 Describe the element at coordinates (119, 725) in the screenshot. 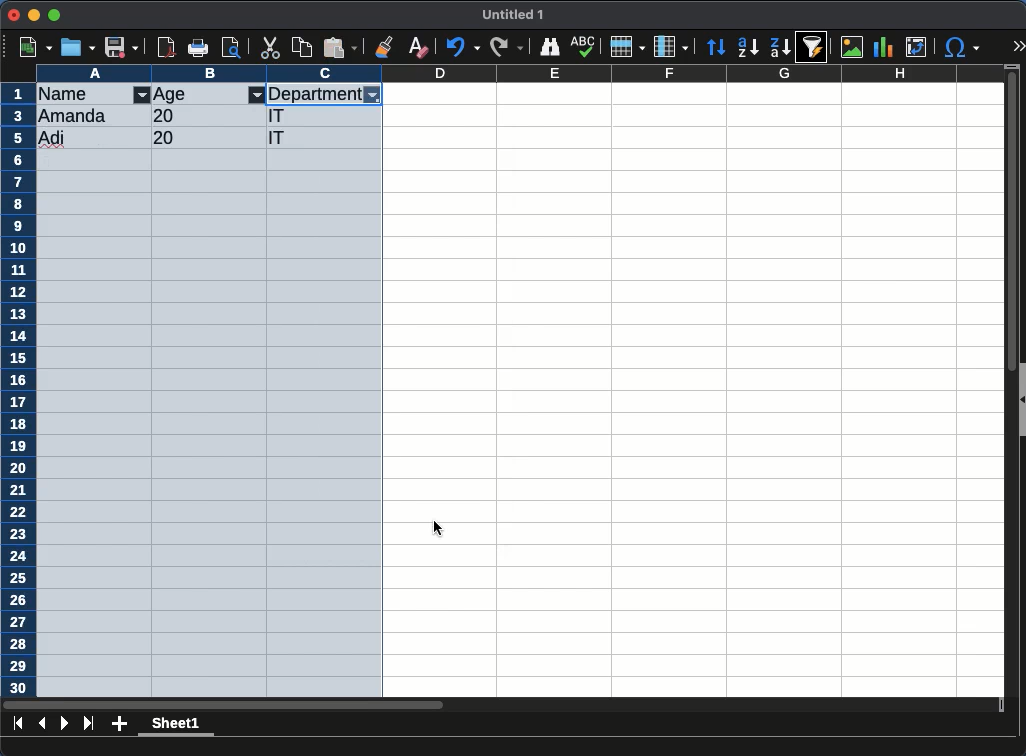

I see `add` at that location.